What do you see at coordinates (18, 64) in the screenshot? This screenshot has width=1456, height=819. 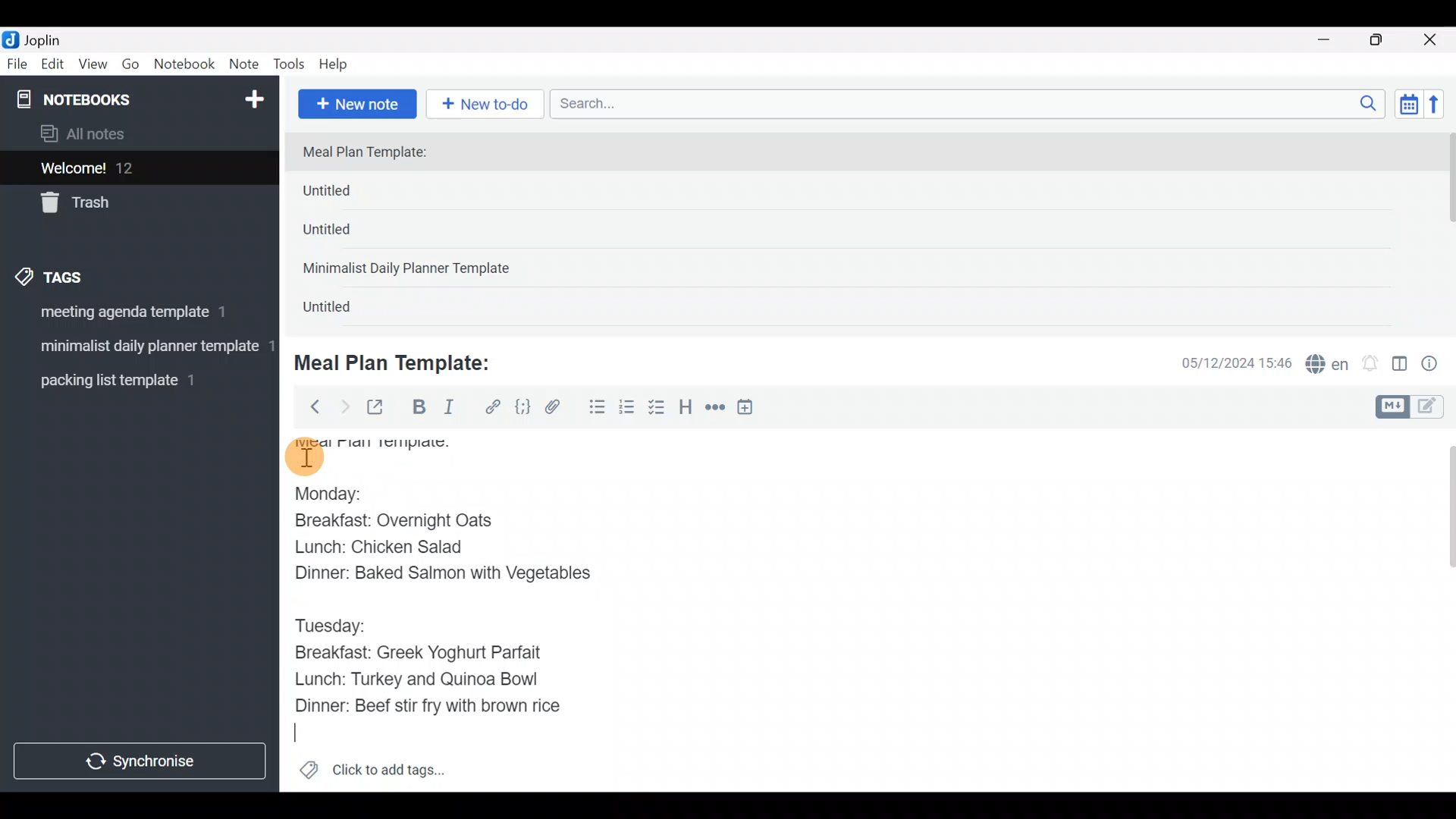 I see `File` at bounding box center [18, 64].